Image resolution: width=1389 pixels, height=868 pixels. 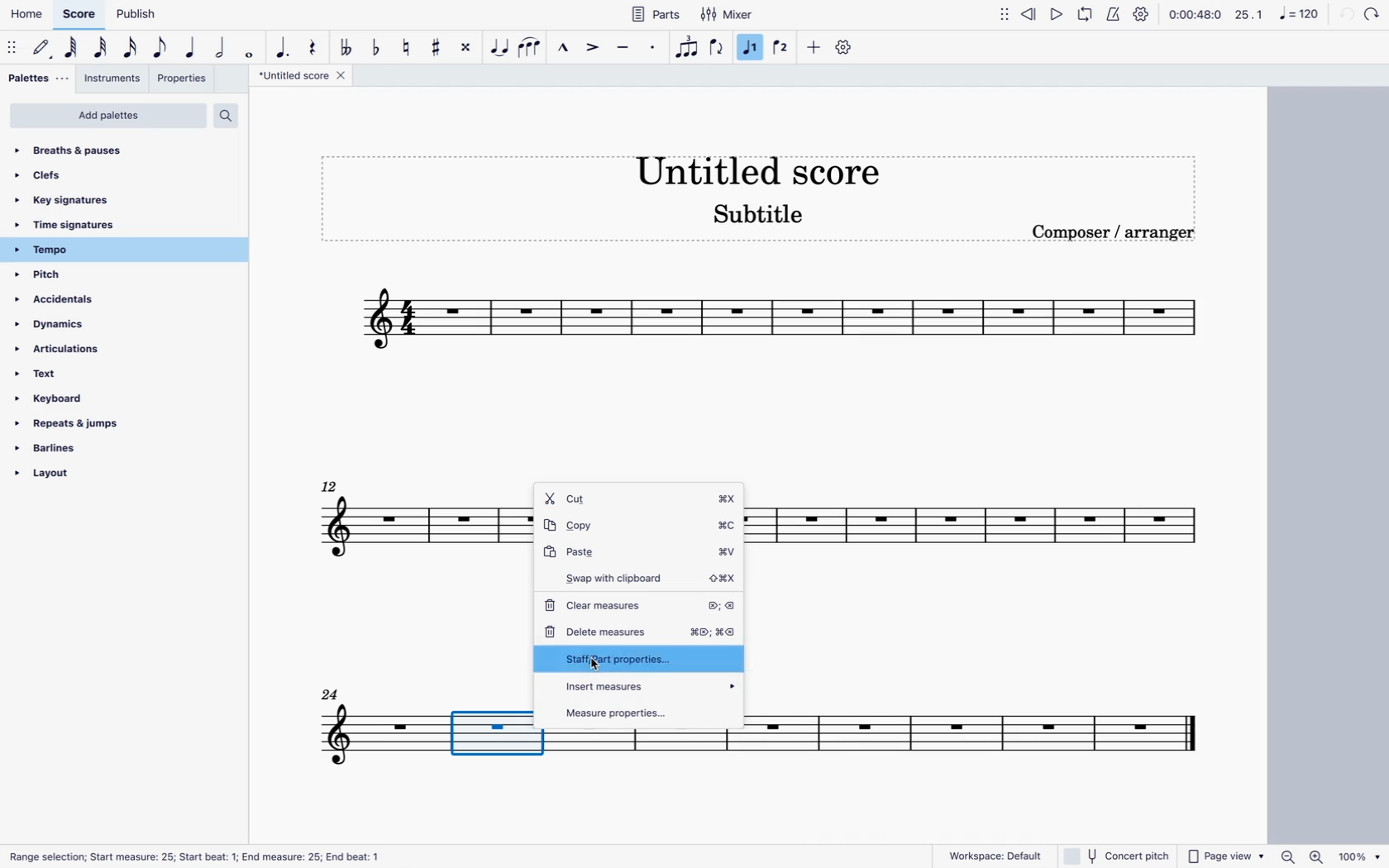 What do you see at coordinates (314, 46) in the screenshot?
I see `rest` at bounding box center [314, 46].